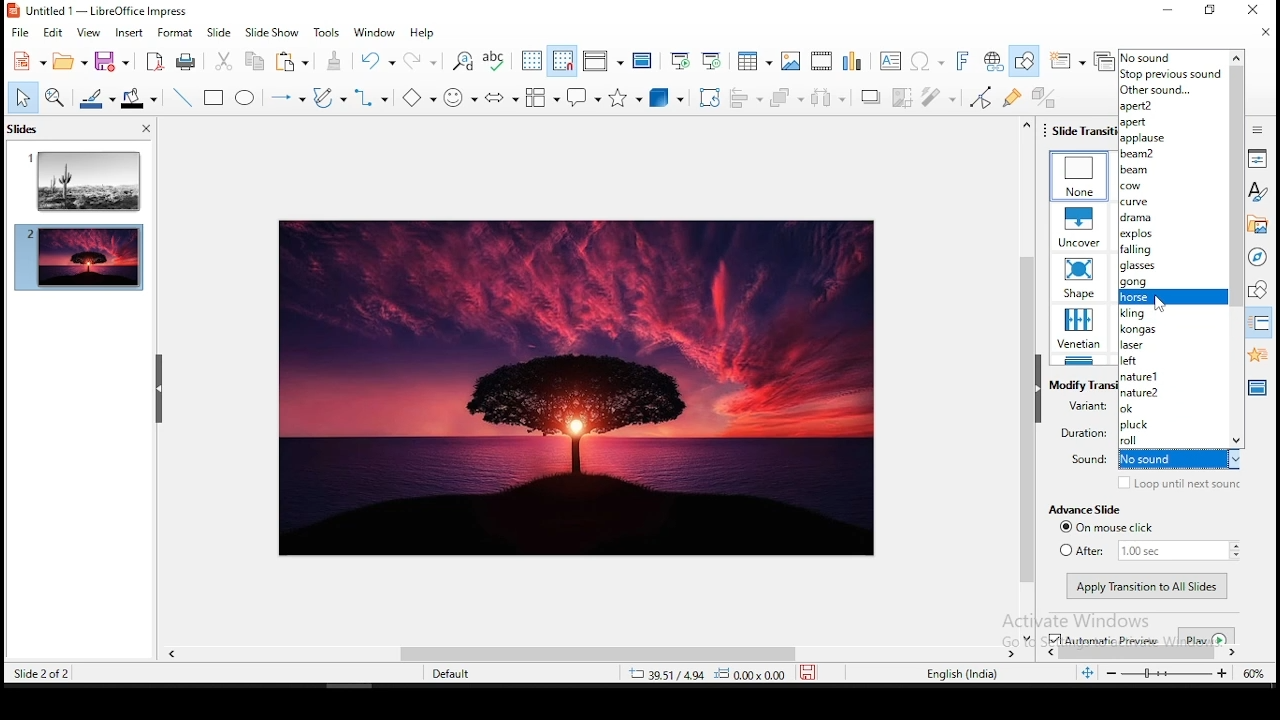 This screenshot has width=1280, height=720. Describe the element at coordinates (1172, 153) in the screenshot. I see `beam2` at that location.